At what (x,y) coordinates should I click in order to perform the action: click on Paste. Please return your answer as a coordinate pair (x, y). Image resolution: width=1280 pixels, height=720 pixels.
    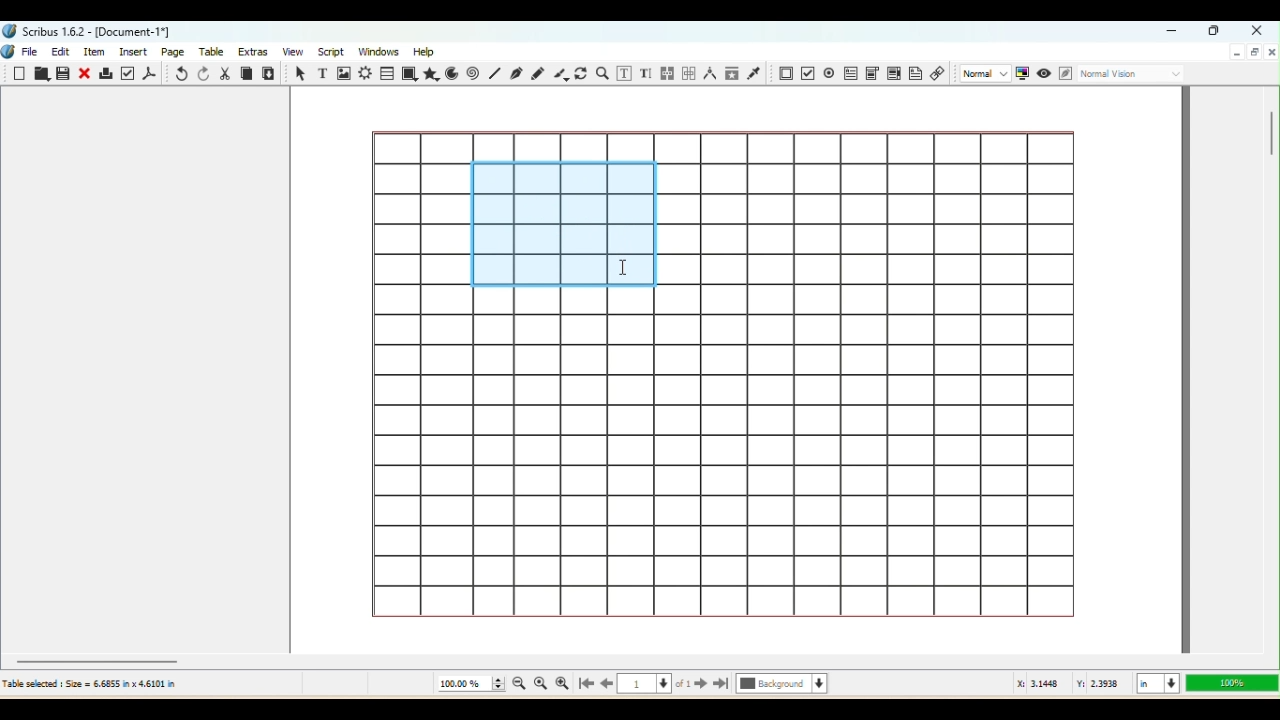
    Looking at the image, I should click on (270, 73).